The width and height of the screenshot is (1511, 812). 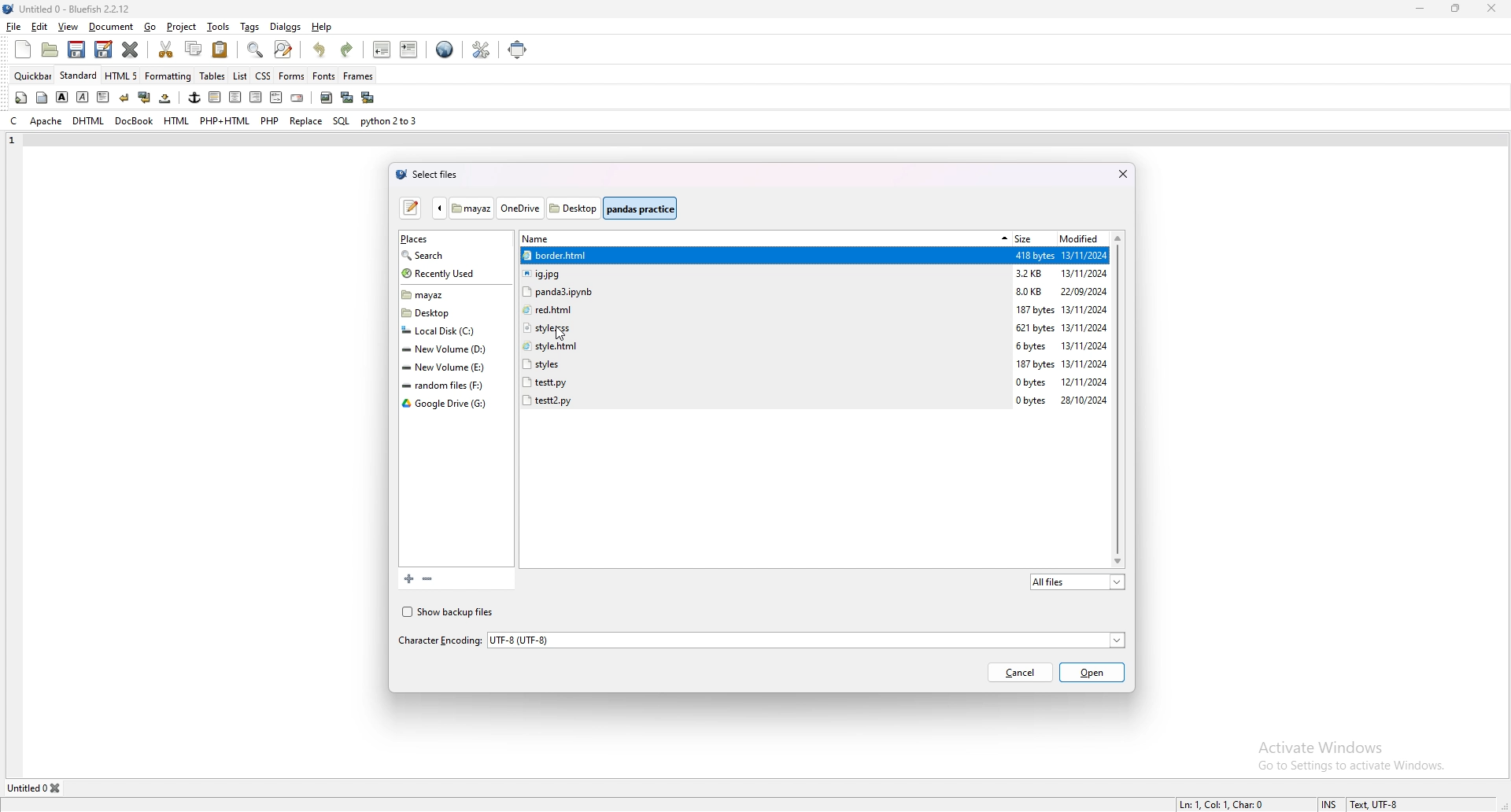 I want to click on replace, so click(x=307, y=121).